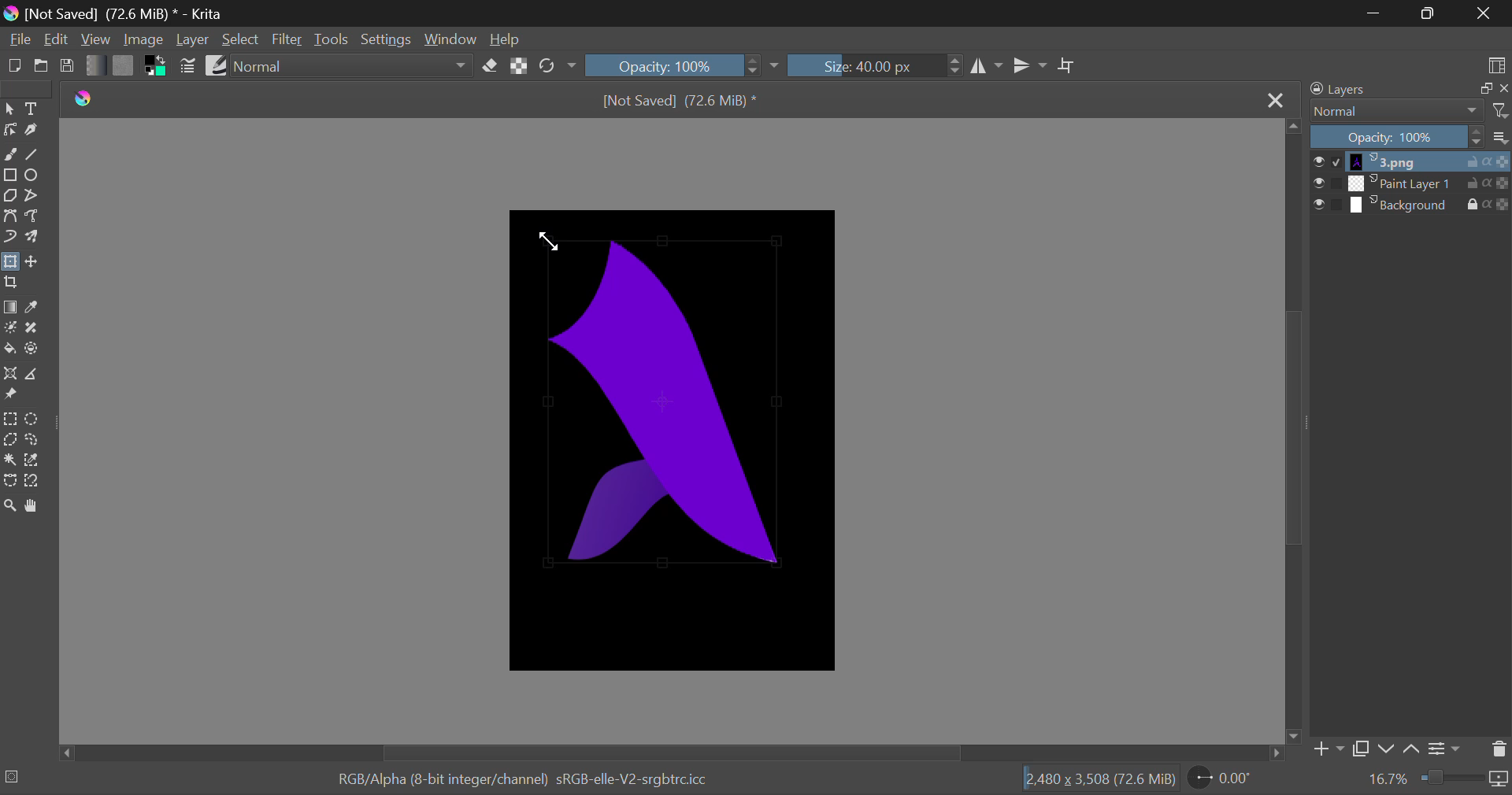 Image resolution: width=1512 pixels, height=795 pixels. What do you see at coordinates (1451, 777) in the screenshot?
I see `Zoom slider` at bounding box center [1451, 777].